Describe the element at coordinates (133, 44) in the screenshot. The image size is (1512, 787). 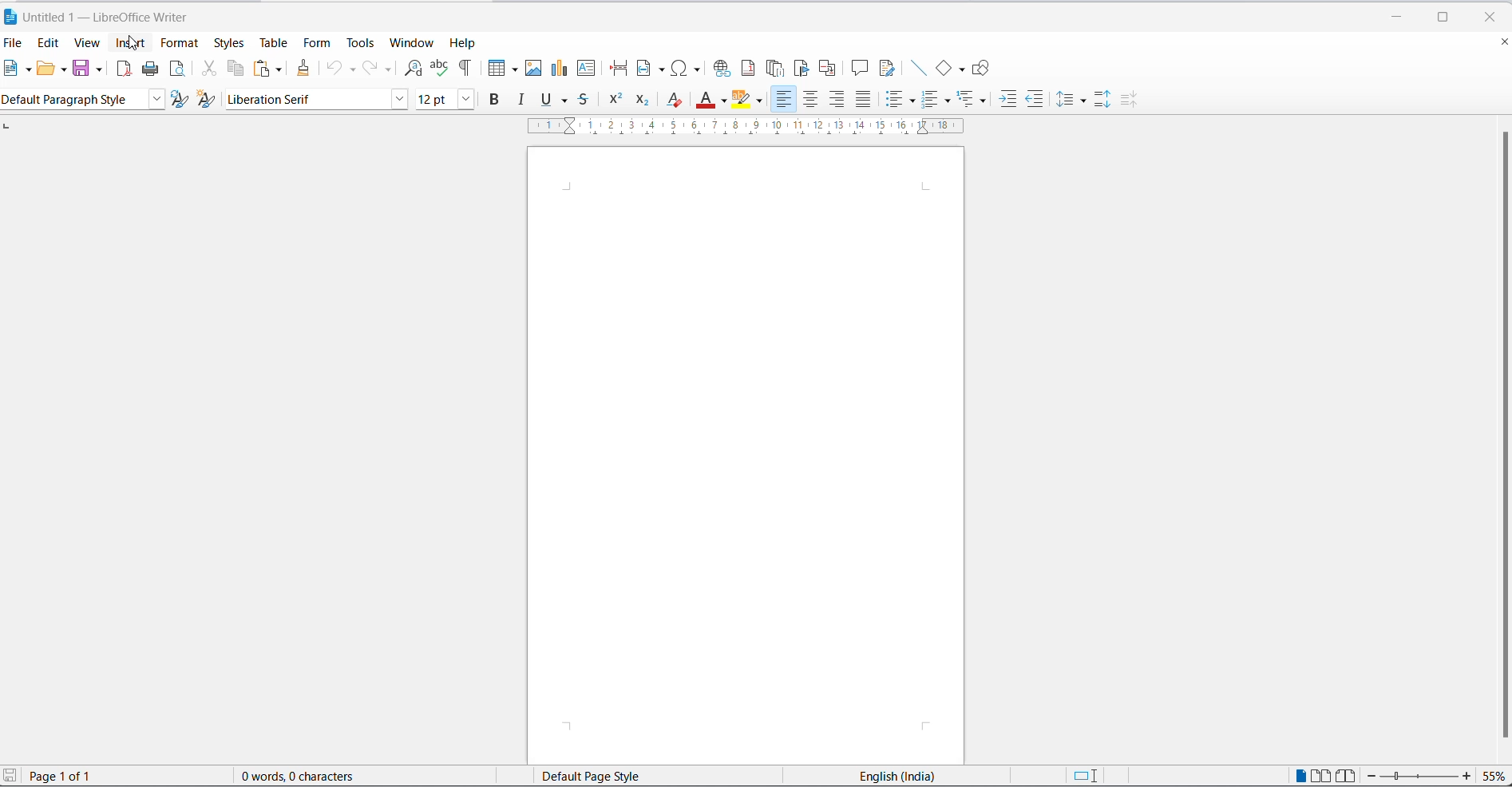
I see `insert` at that location.